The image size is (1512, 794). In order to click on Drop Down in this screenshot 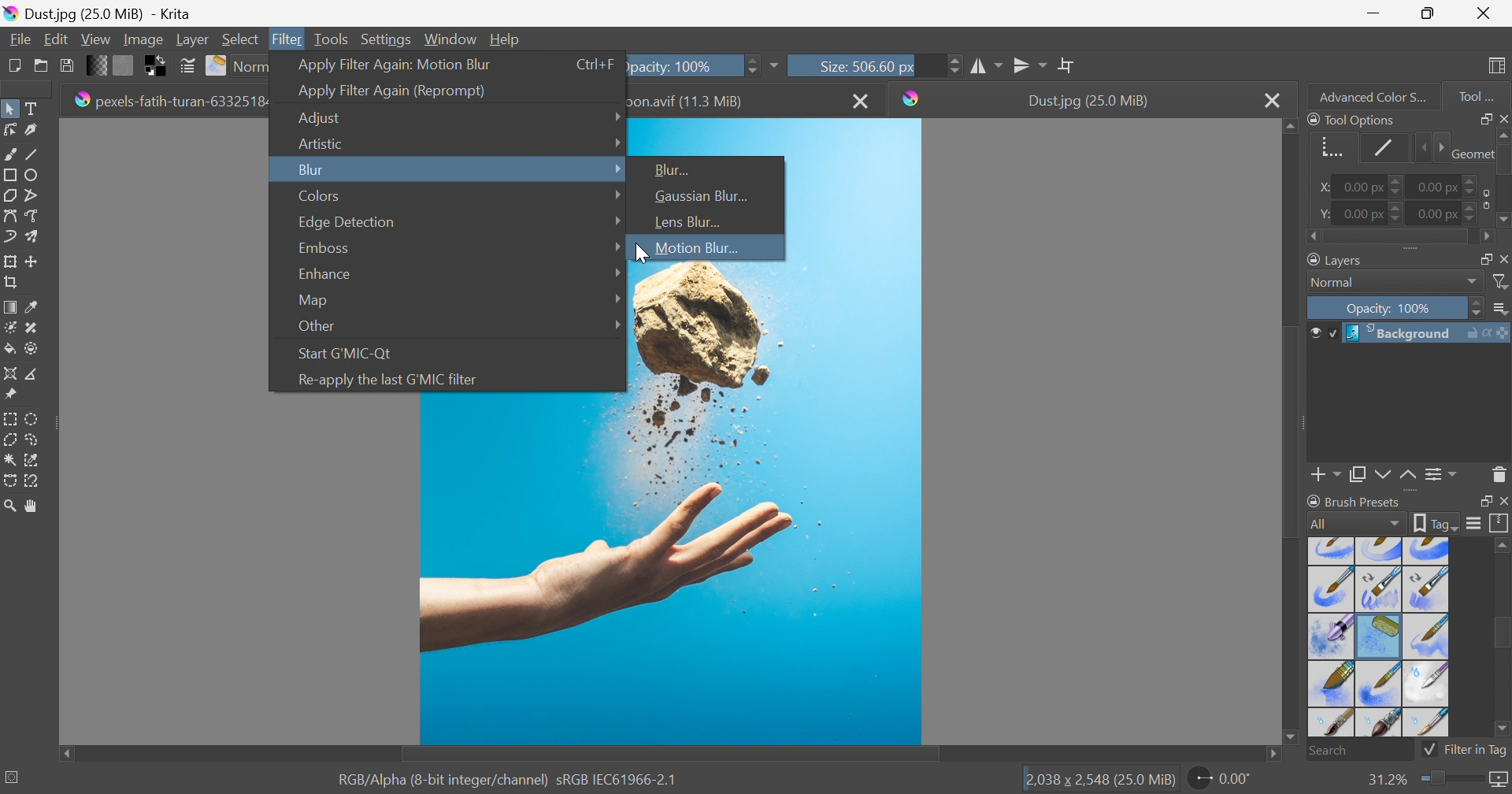, I will do `click(617, 141)`.